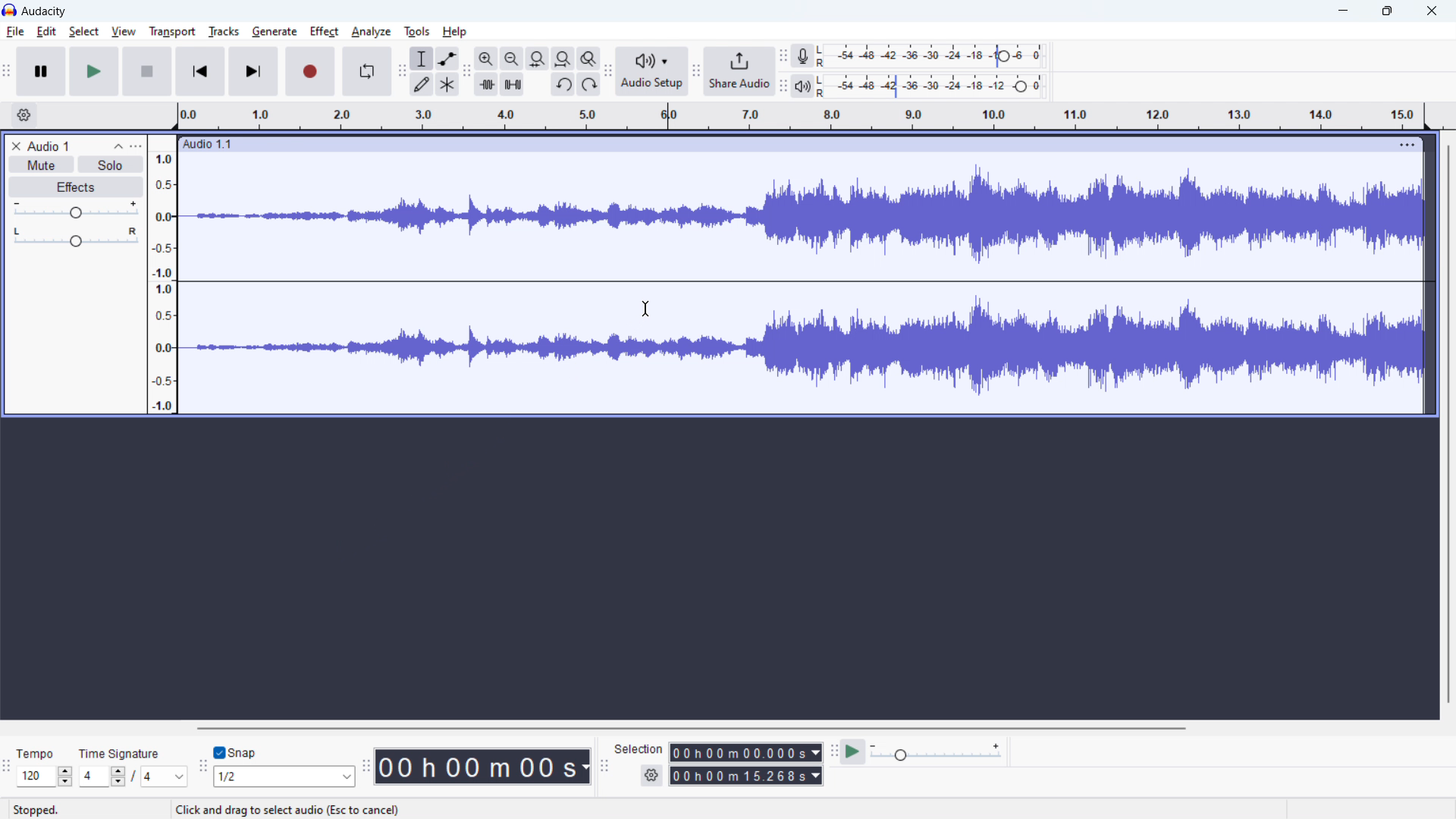 This screenshot has height=819, width=1456. I want to click on time signature toolbar, so click(8, 769).